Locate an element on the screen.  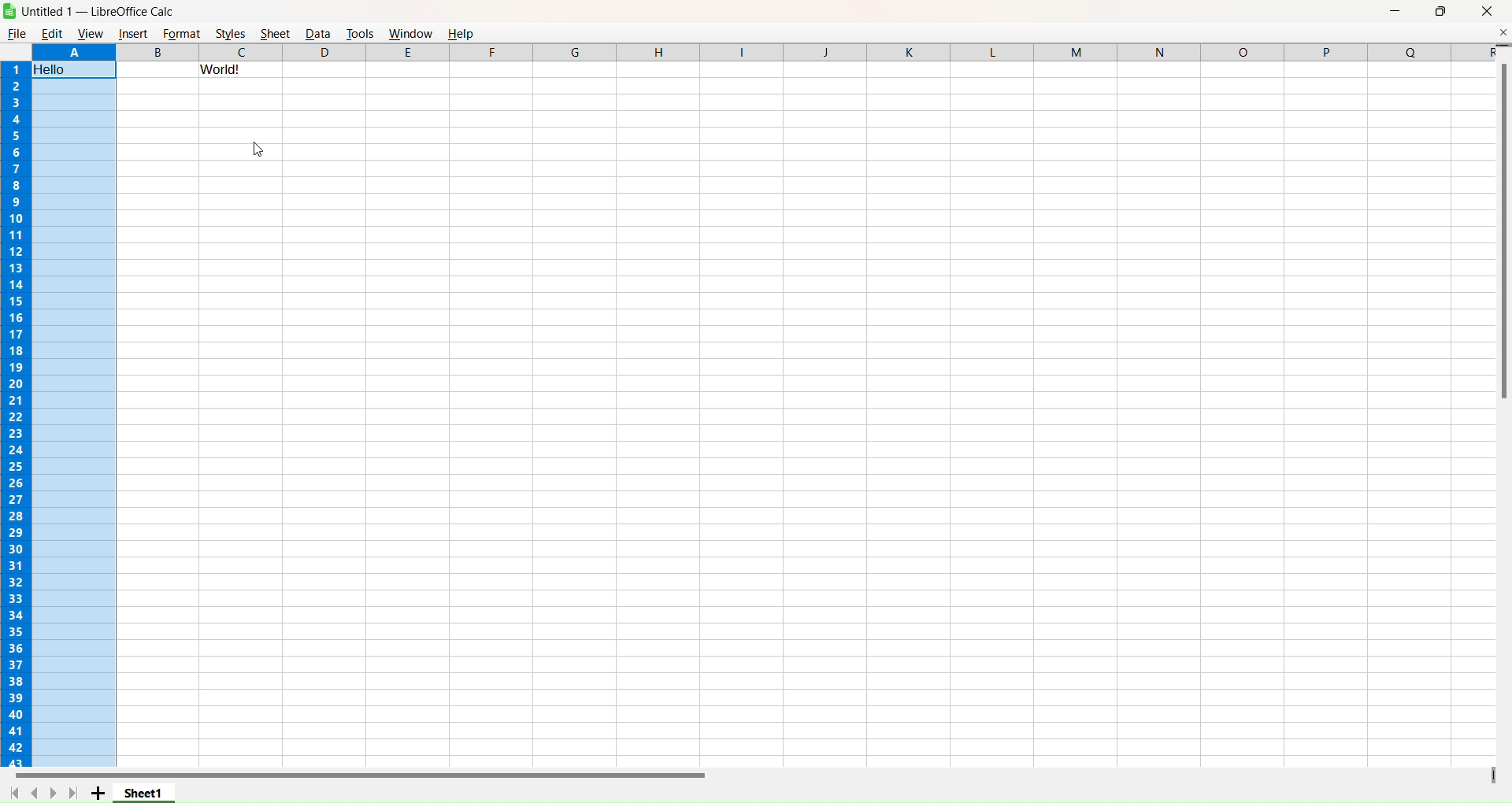
Sheet is located at coordinates (274, 33).